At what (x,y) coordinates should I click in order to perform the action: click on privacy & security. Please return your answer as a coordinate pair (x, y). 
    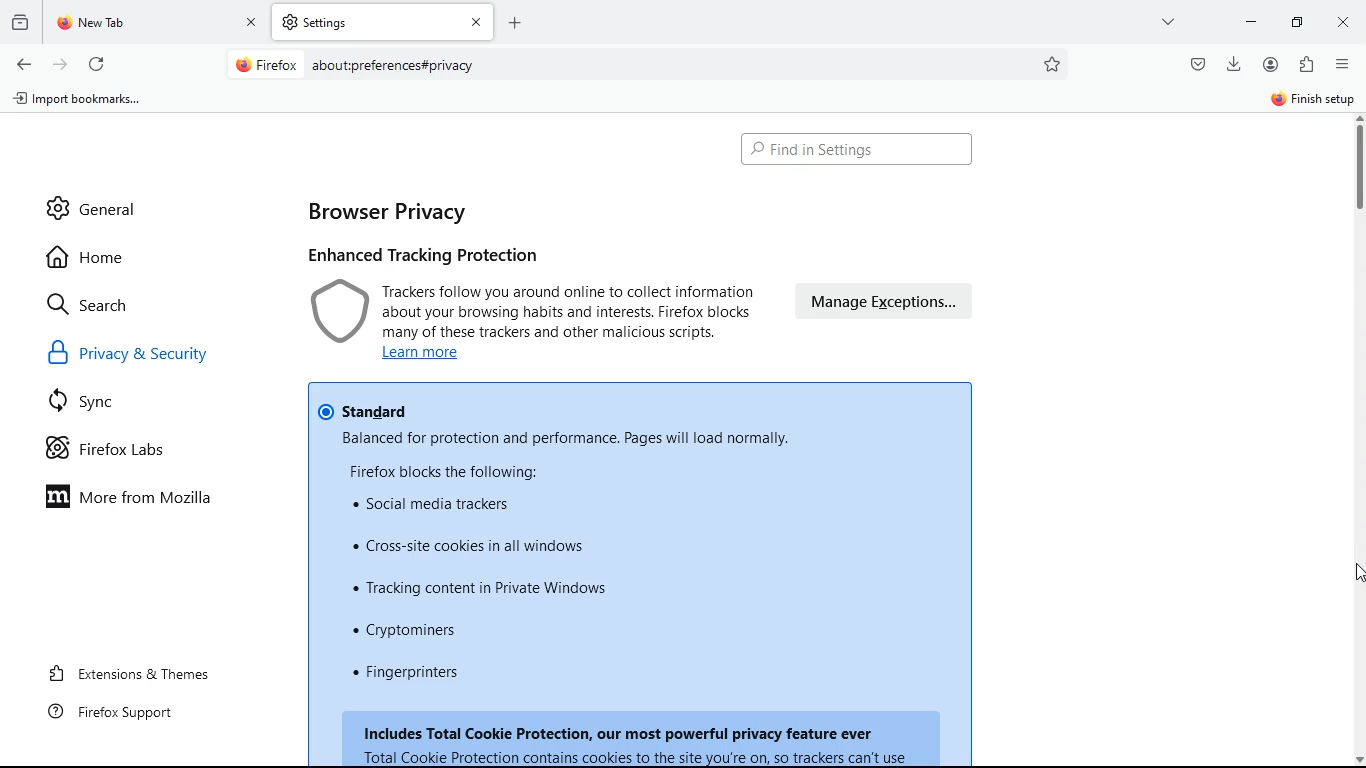
    Looking at the image, I should click on (153, 357).